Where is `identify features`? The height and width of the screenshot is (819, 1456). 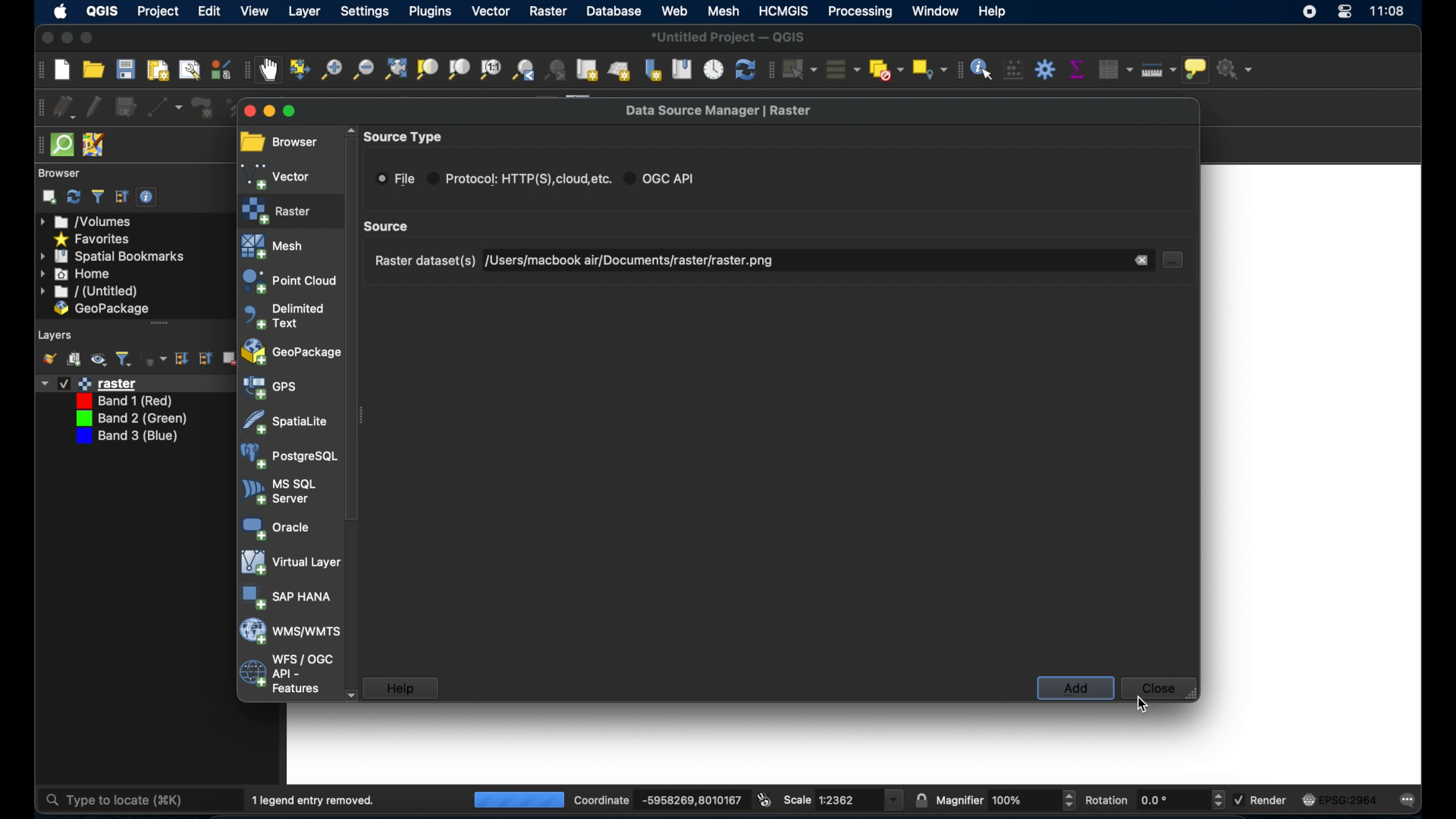
identify features is located at coordinates (982, 68).